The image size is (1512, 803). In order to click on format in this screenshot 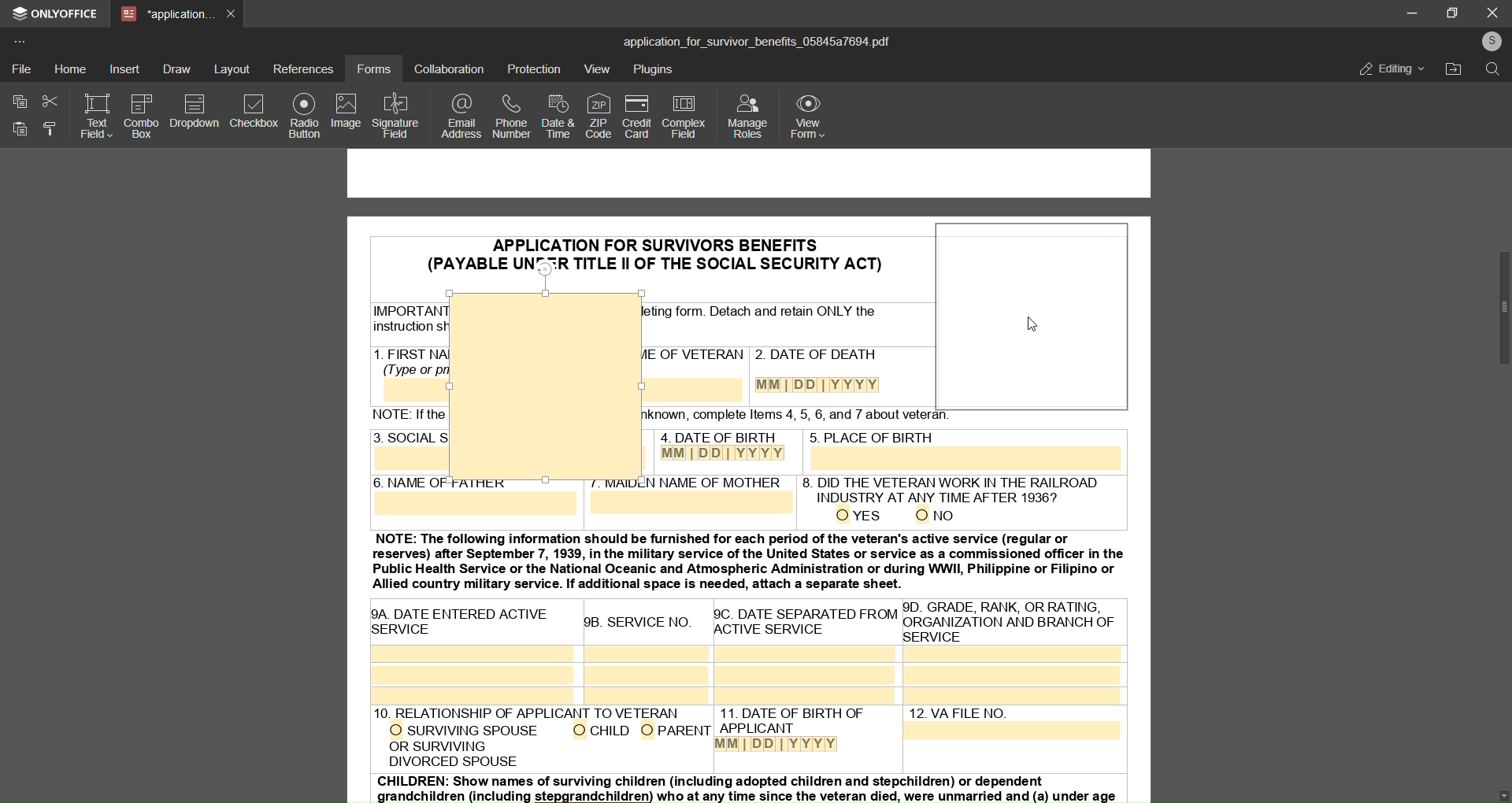, I will do `click(48, 131)`.